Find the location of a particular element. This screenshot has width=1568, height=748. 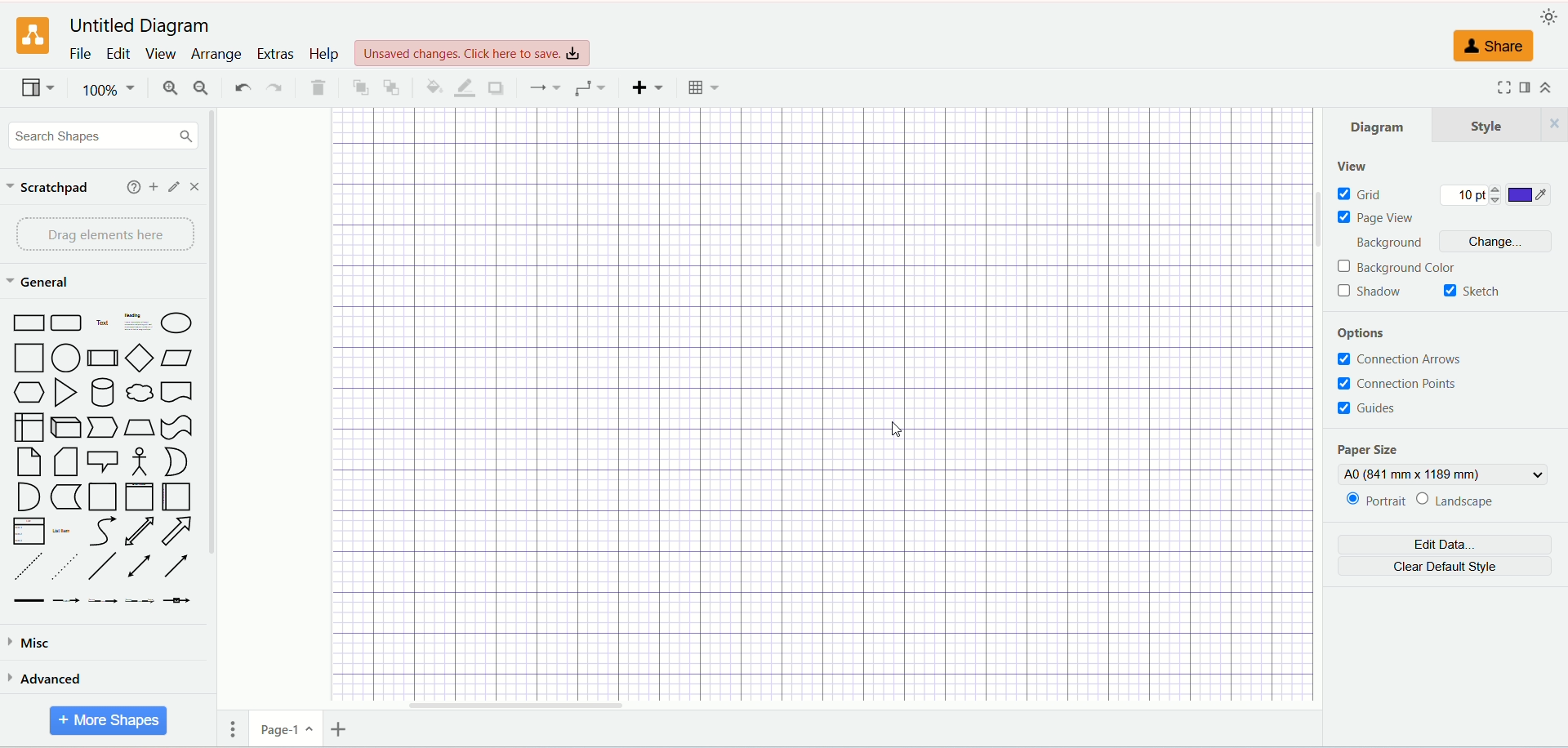

delete is located at coordinates (318, 88).